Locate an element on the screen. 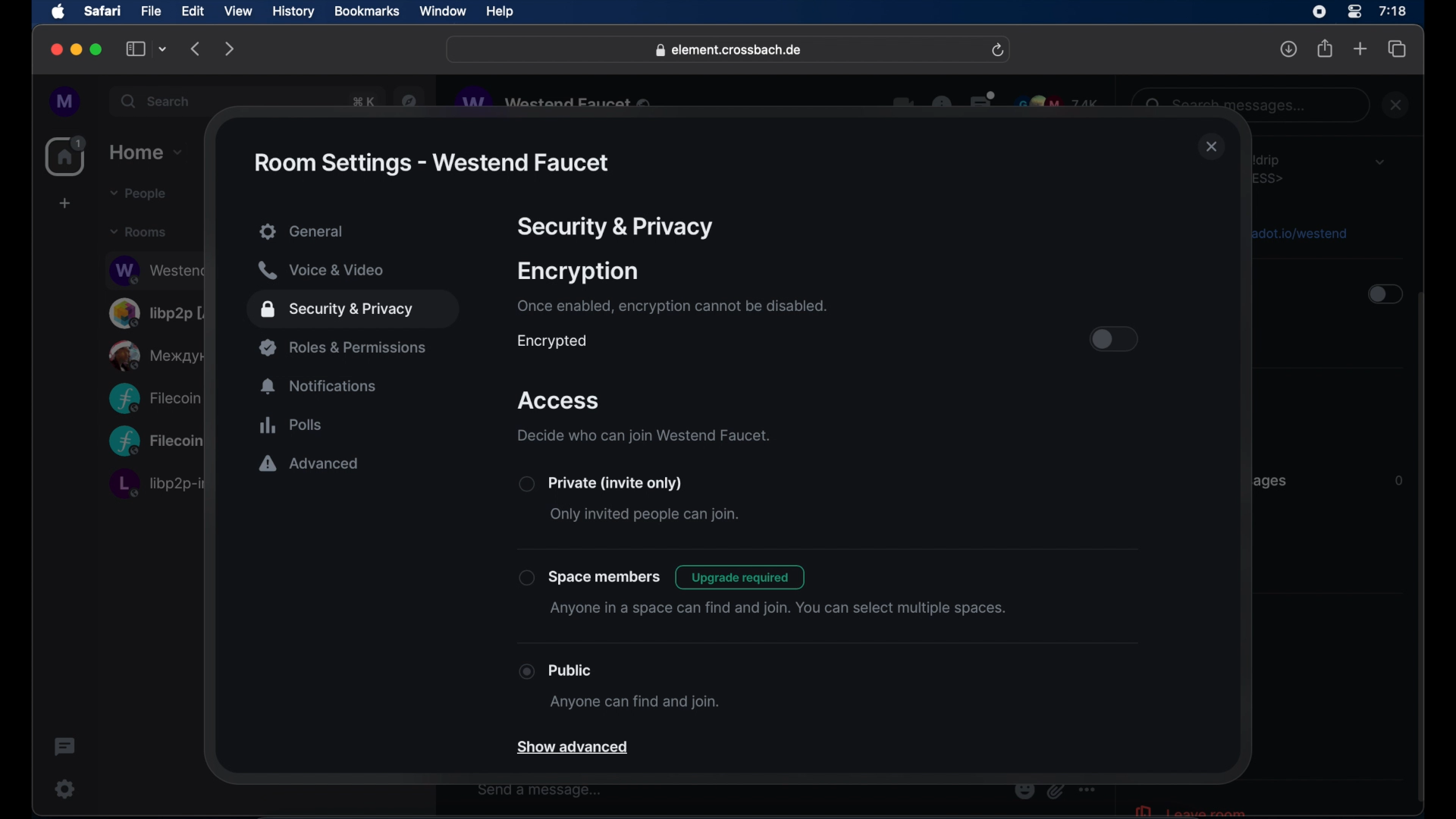 The width and height of the screenshot is (1456, 819). only invited people can join is located at coordinates (644, 516).